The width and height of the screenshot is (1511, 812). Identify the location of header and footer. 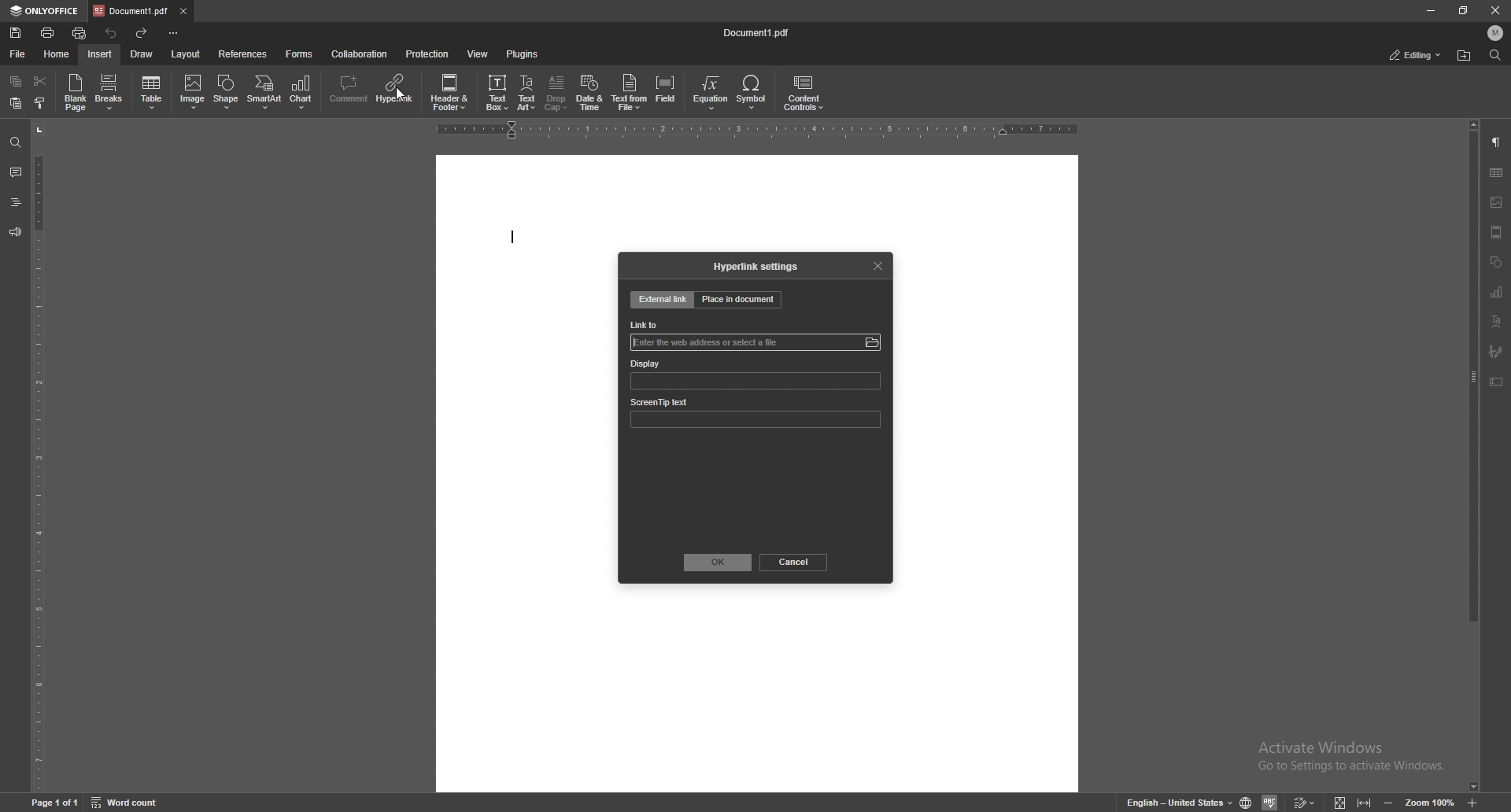
(452, 91).